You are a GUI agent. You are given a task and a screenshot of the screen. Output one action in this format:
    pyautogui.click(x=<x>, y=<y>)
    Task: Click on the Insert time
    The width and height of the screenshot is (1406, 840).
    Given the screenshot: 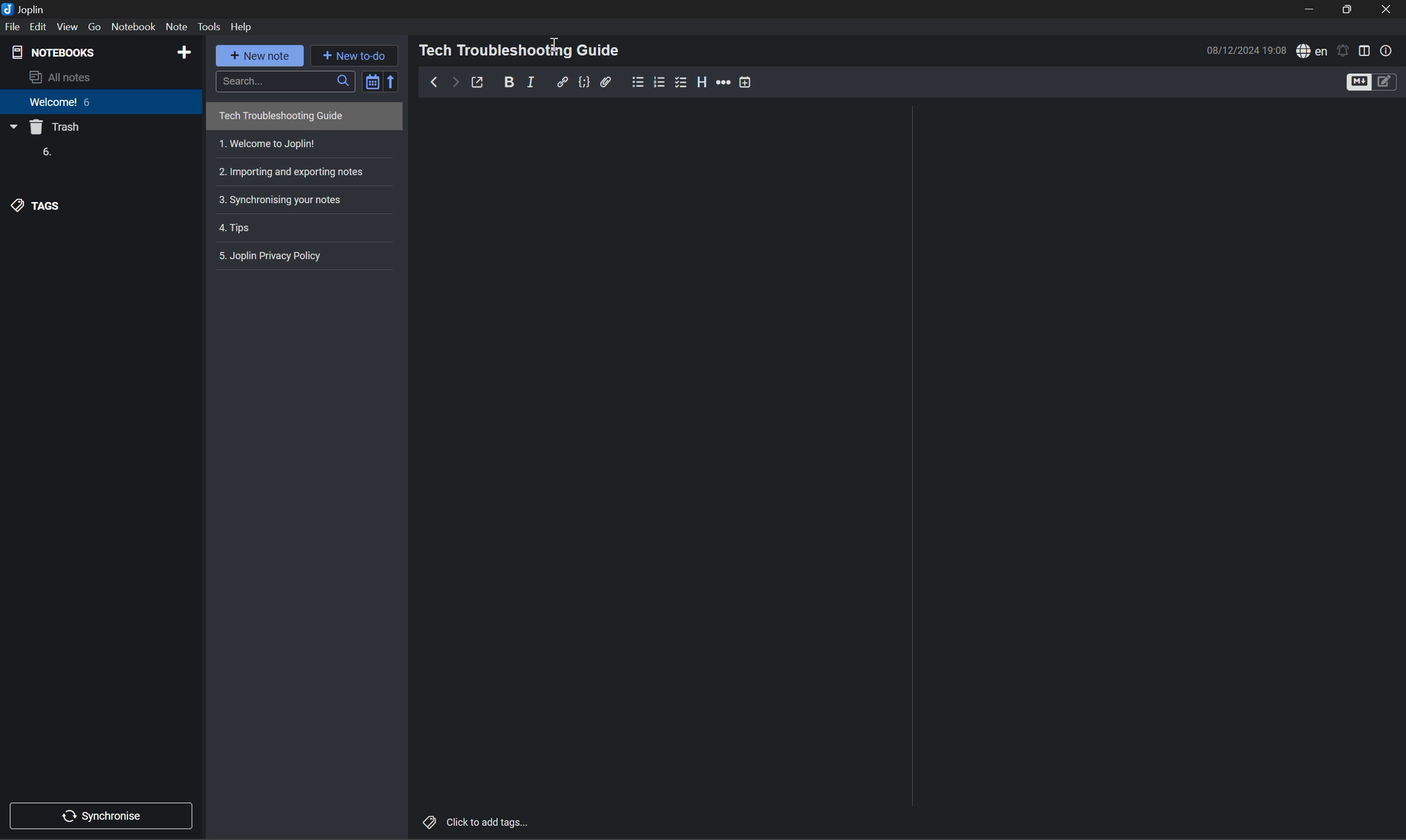 What is the action you would take?
    pyautogui.click(x=743, y=82)
    